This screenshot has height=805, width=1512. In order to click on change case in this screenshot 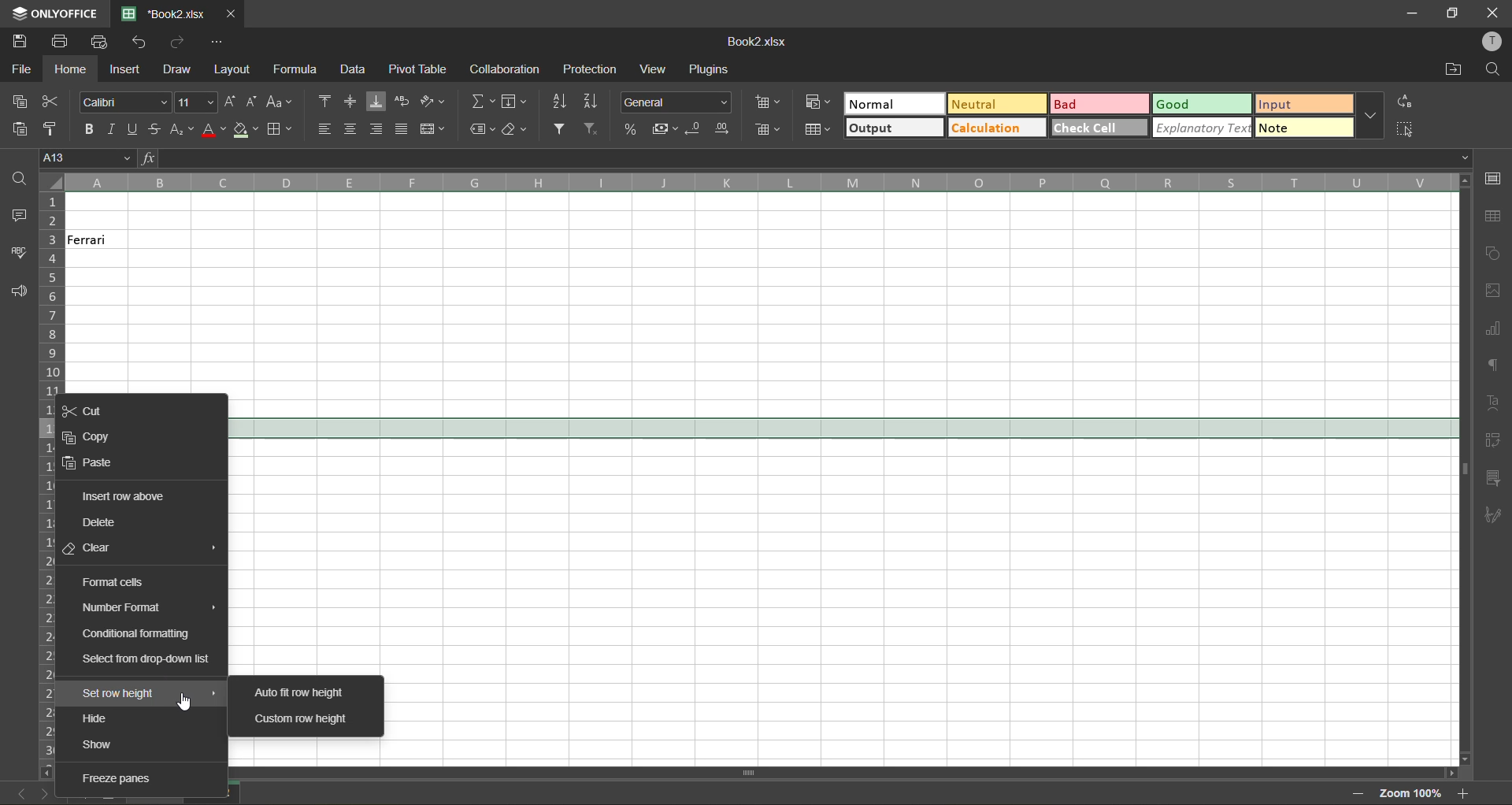, I will do `click(281, 103)`.